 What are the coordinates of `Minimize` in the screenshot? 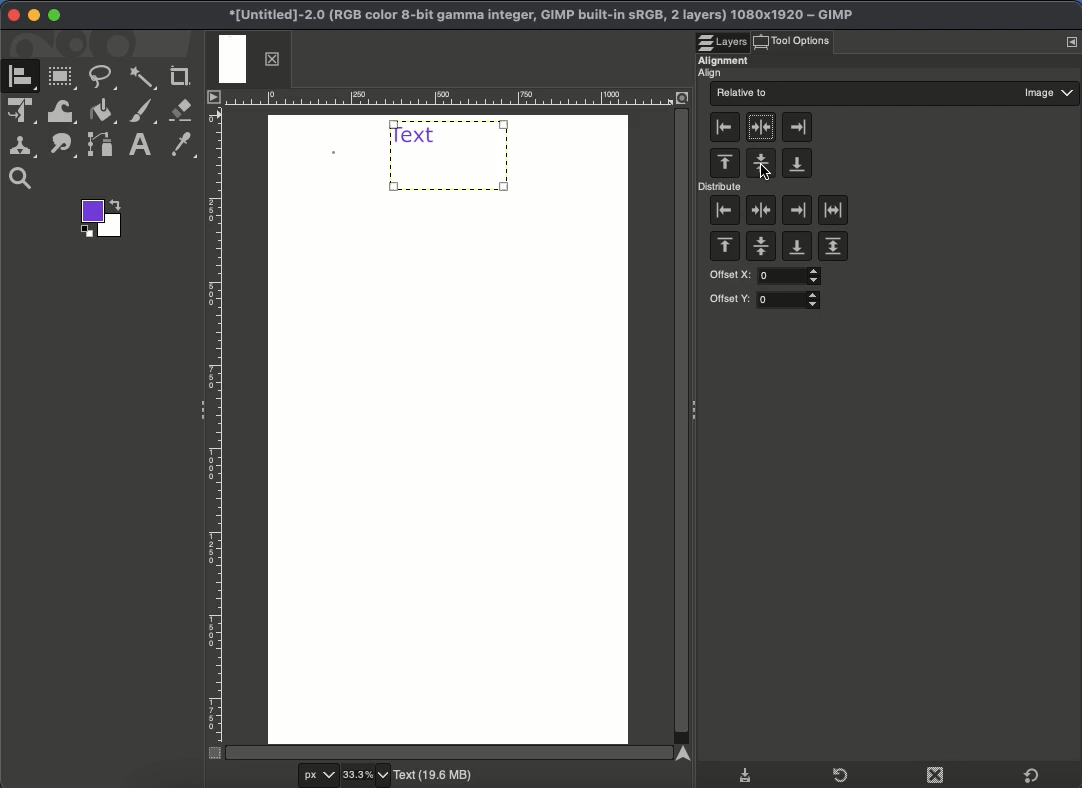 It's located at (34, 16).